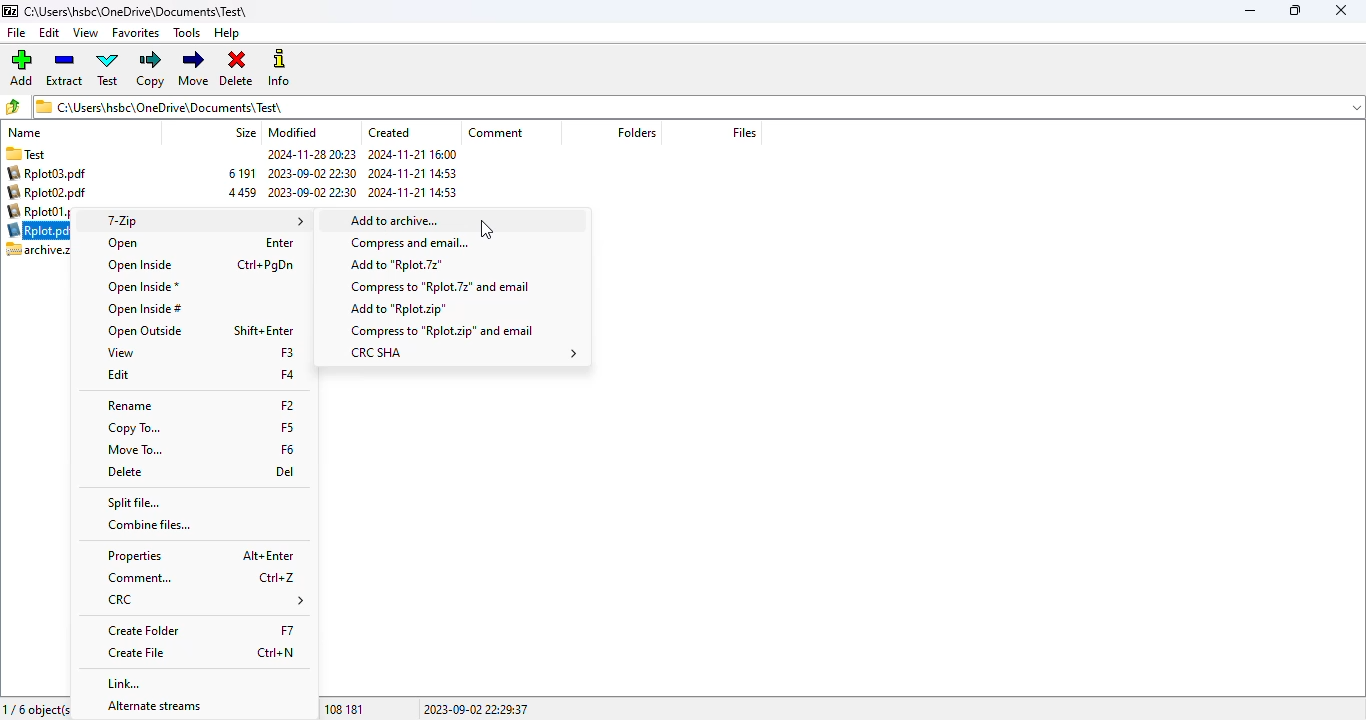 This screenshot has height=720, width=1366. Describe the element at coordinates (279, 68) in the screenshot. I see `info` at that location.